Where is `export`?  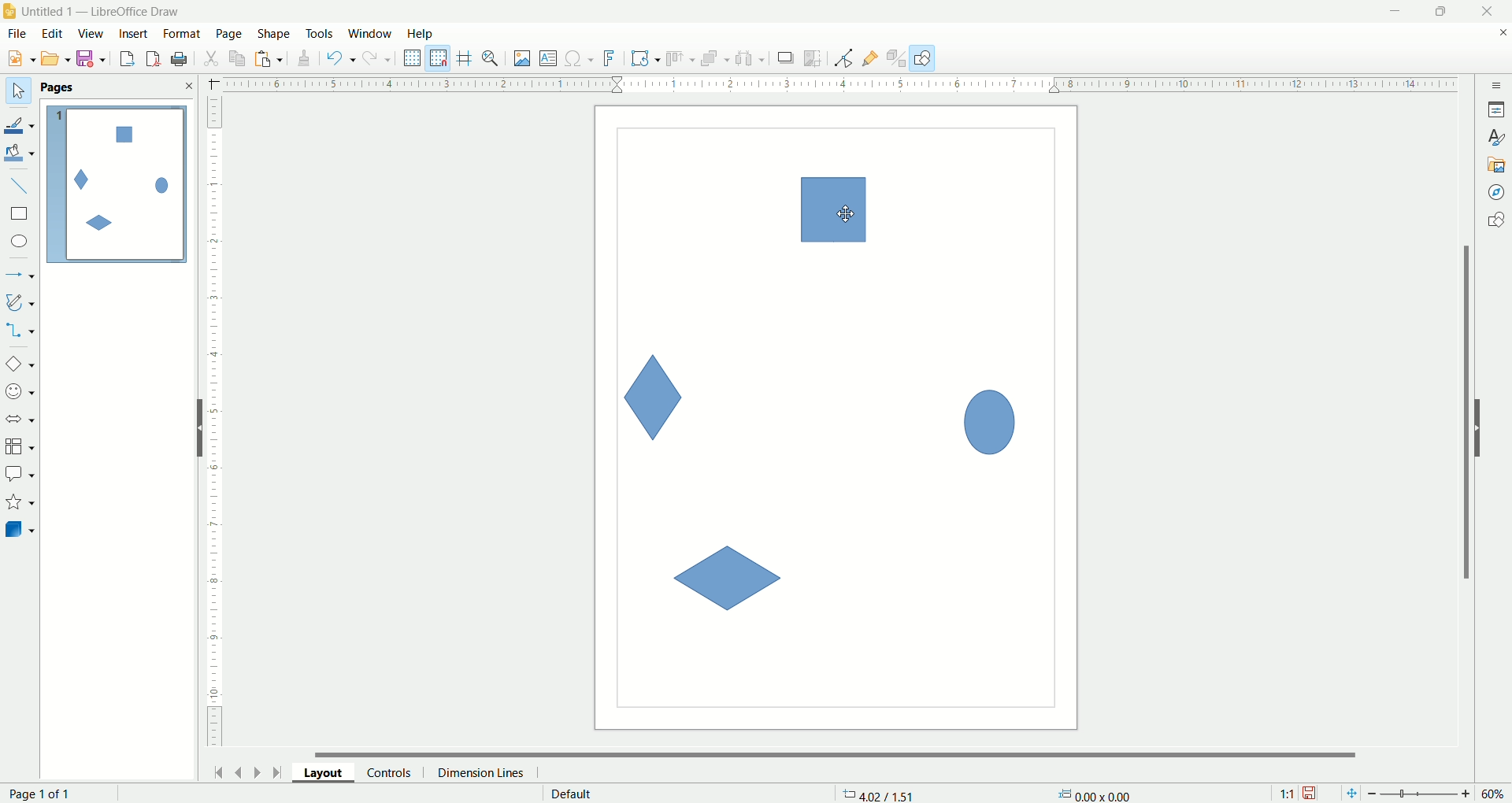
export is located at coordinates (126, 56).